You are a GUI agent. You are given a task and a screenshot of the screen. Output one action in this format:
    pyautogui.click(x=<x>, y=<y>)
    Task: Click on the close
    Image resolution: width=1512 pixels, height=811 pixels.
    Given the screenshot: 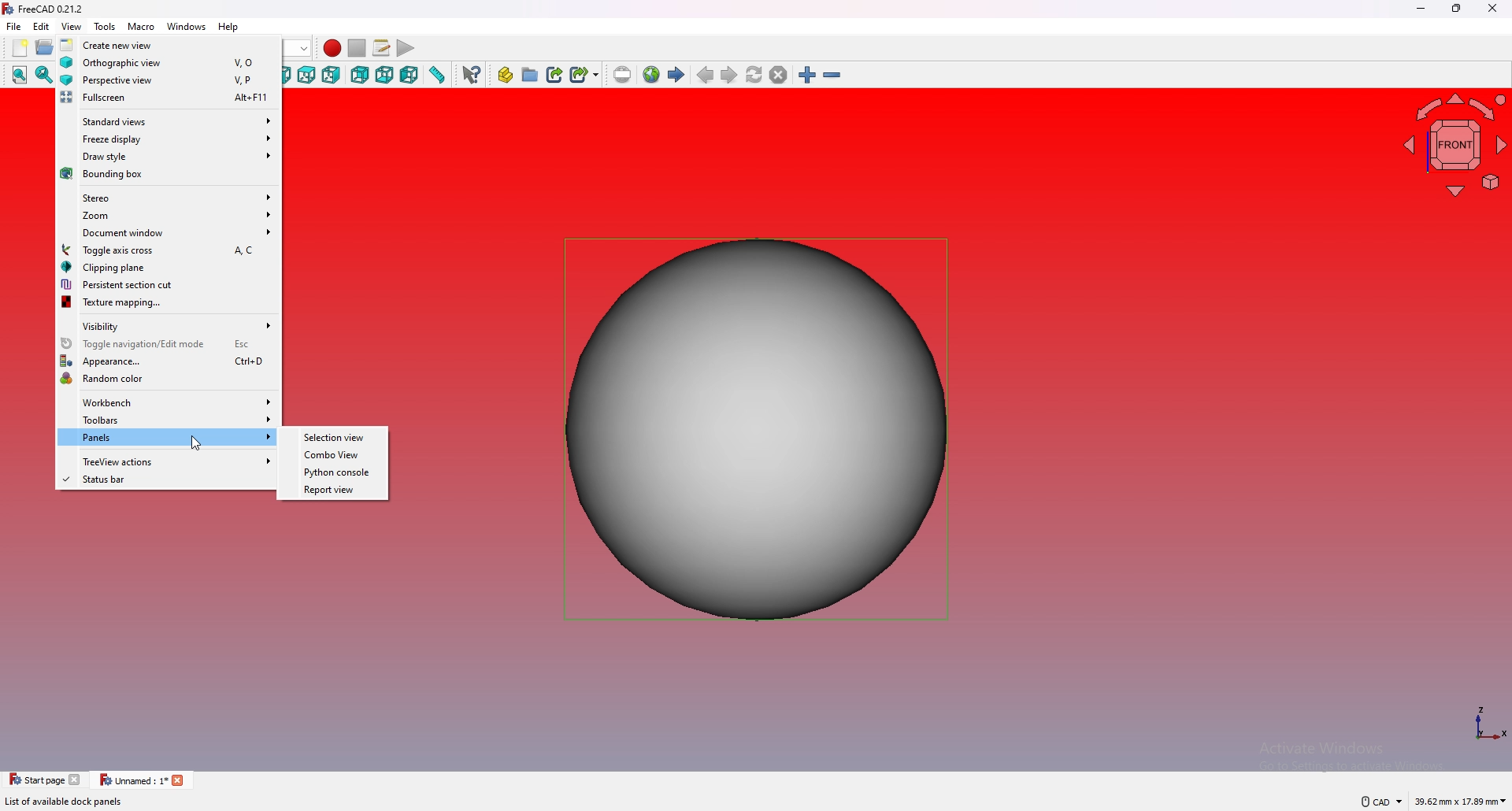 What is the action you would take?
    pyautogui.click(x=1492, y=9)
    